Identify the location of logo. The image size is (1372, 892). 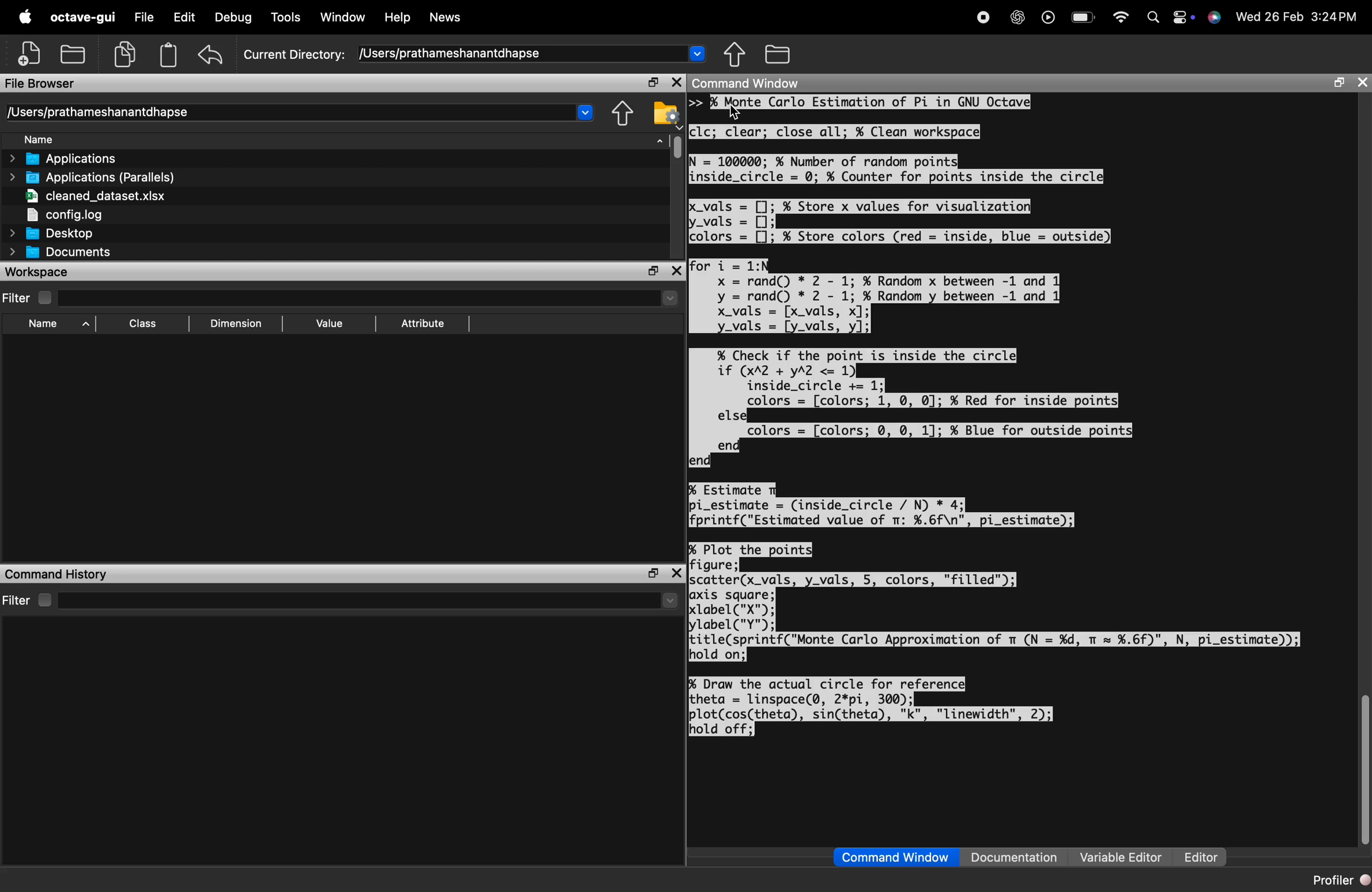
(26, 18).